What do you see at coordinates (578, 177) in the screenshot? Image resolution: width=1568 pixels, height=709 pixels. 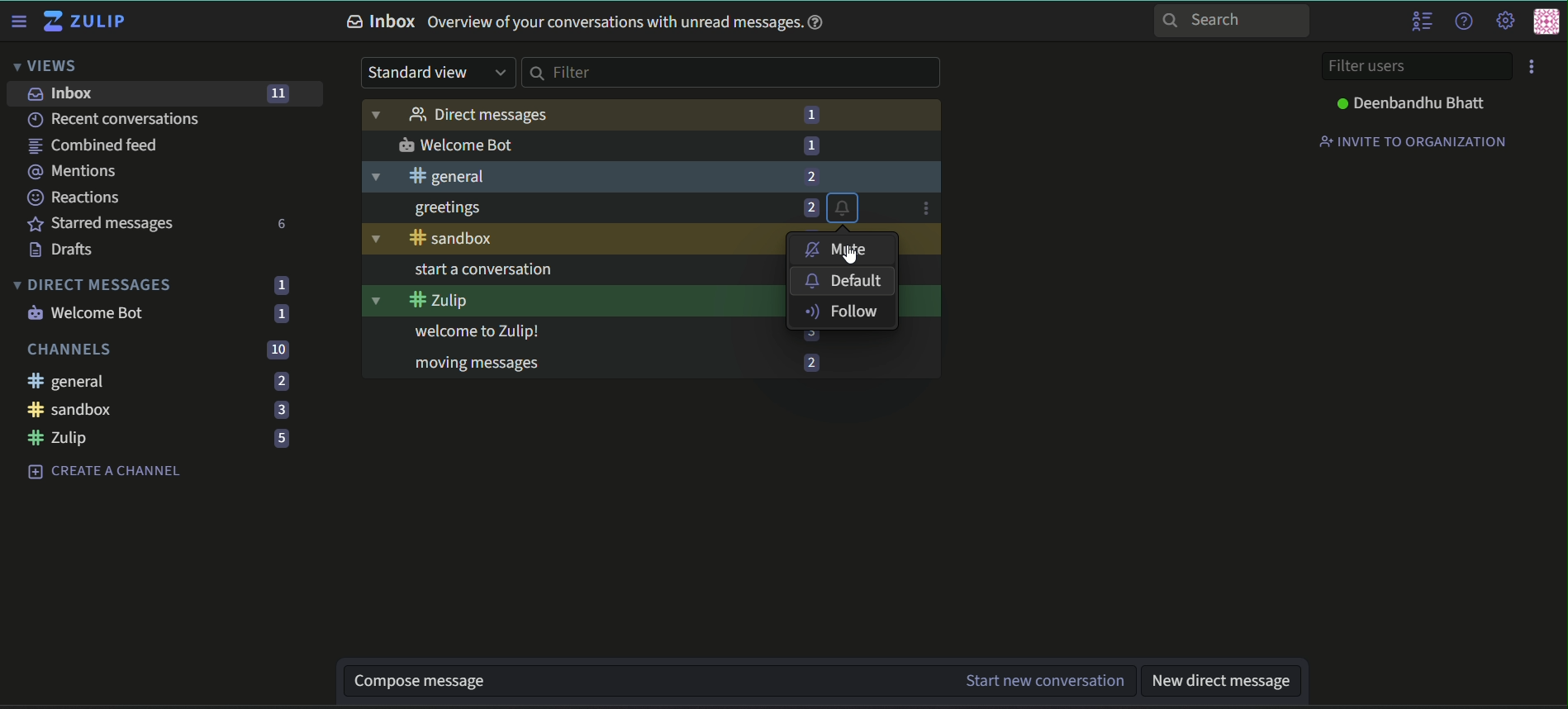 I see `#general` at bounding box center [578, 177].